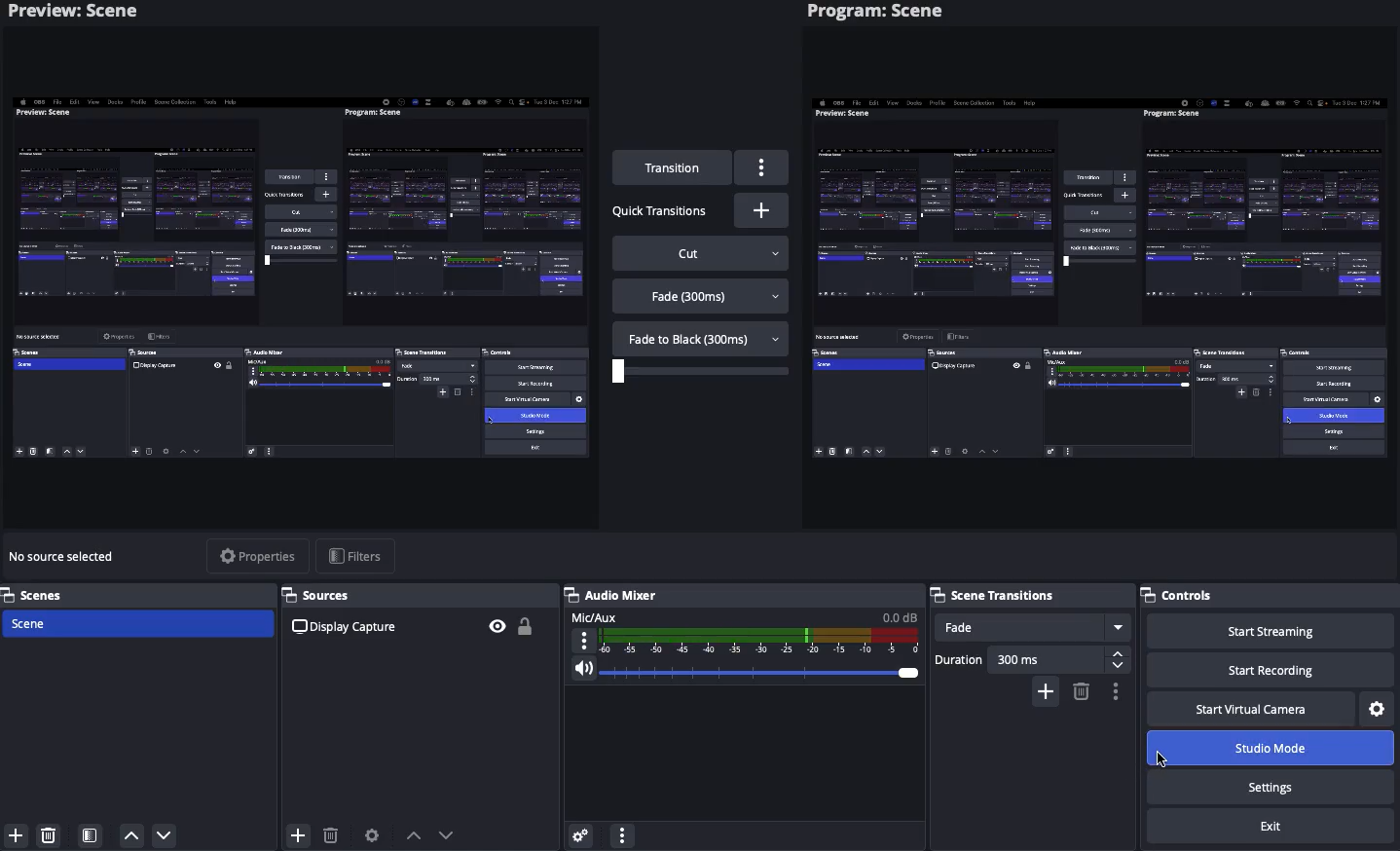 The width and height of the screenshot is (1400, 851). I want to click on Properties, so click(260, 556).